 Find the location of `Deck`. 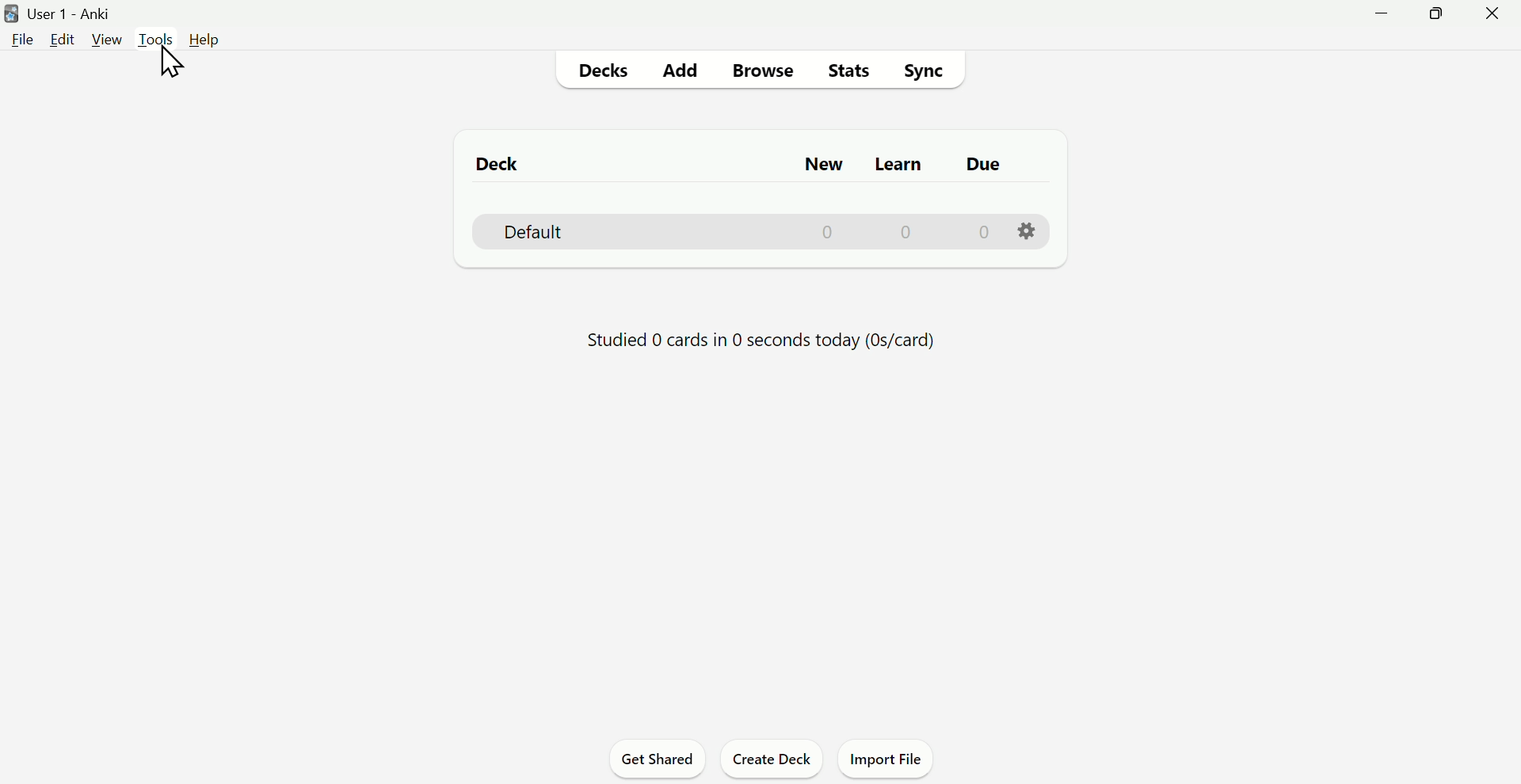

Deck is located at coordinates (490, 164).